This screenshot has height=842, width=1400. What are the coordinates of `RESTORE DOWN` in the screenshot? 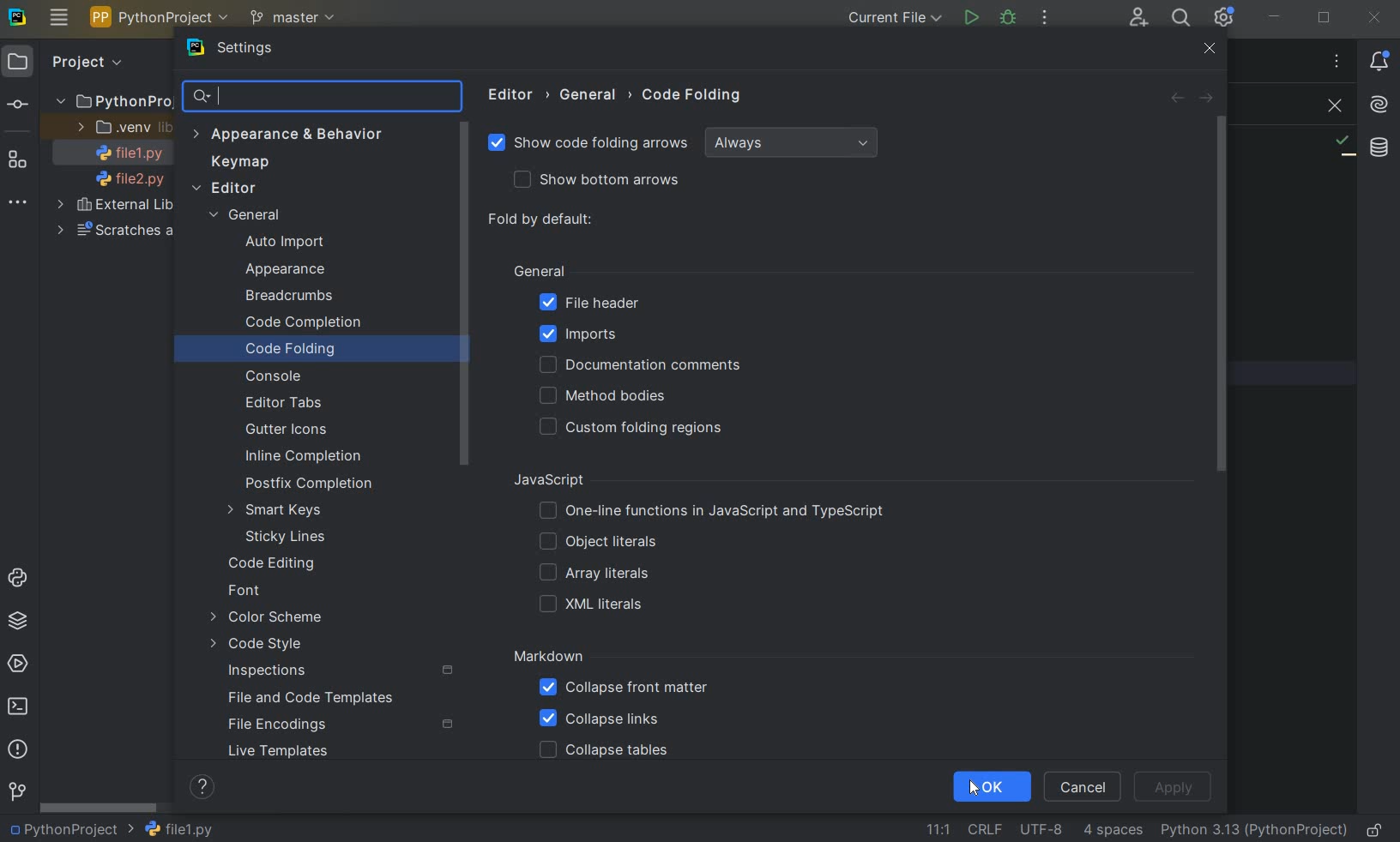 It's located at (1325, 20).